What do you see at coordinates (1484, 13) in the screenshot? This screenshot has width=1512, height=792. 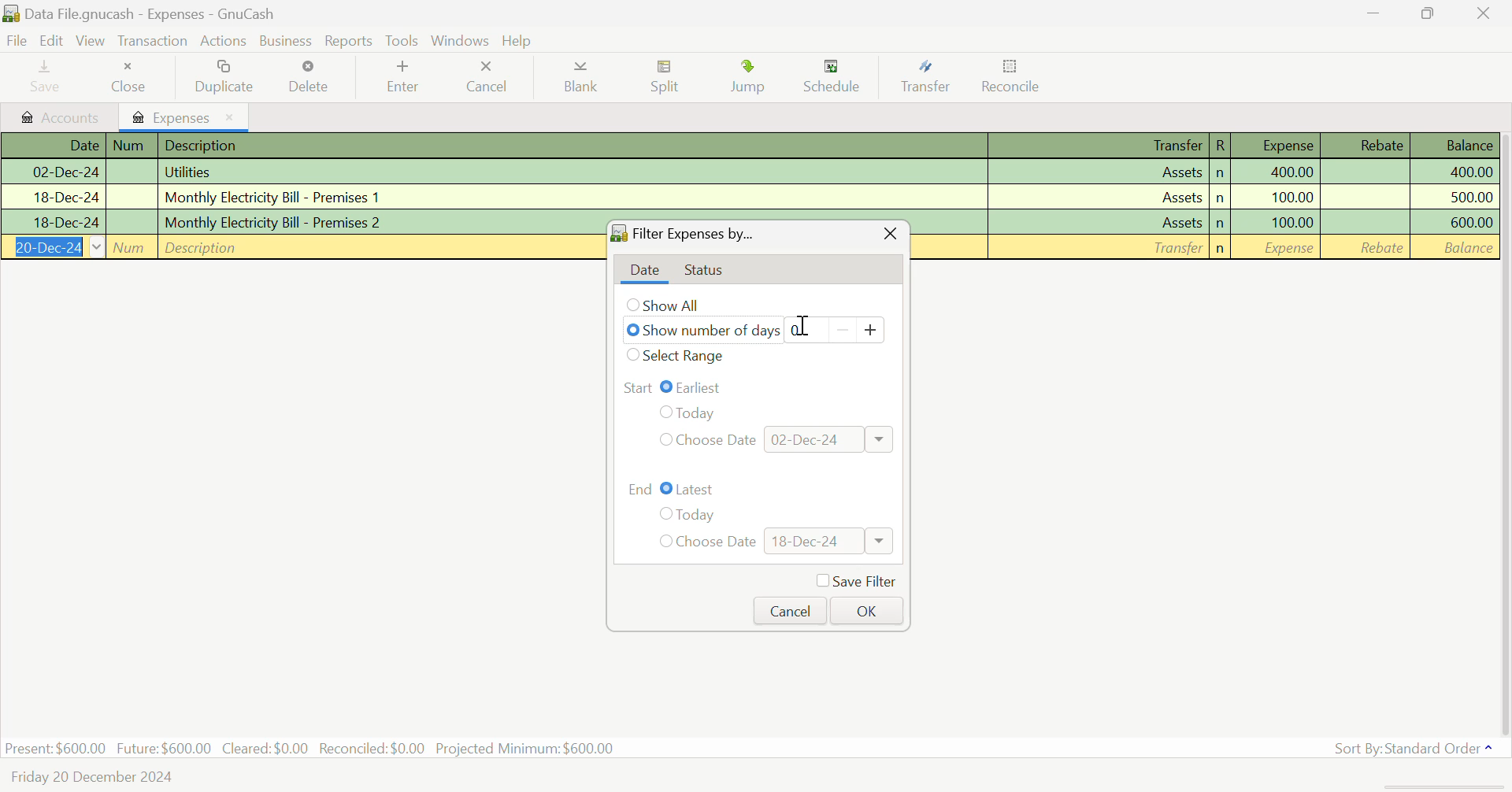 I see `Close` at bounding box center [1484, 13].